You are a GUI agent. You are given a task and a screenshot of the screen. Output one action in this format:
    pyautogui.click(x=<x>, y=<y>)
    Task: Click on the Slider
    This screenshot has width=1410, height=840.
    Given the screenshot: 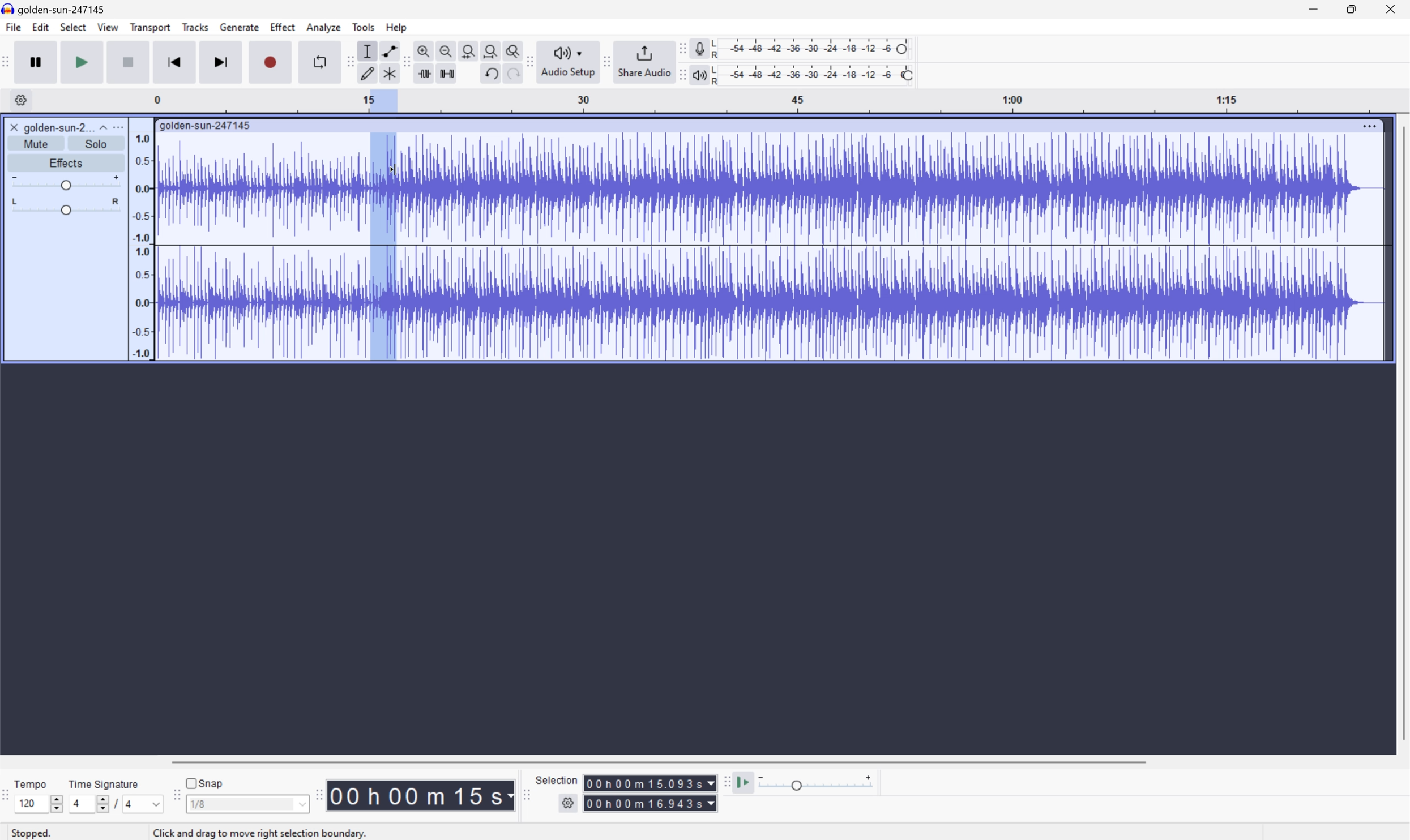 What is the action you would take?
    pyautogui.click(x=63, y=182)
    